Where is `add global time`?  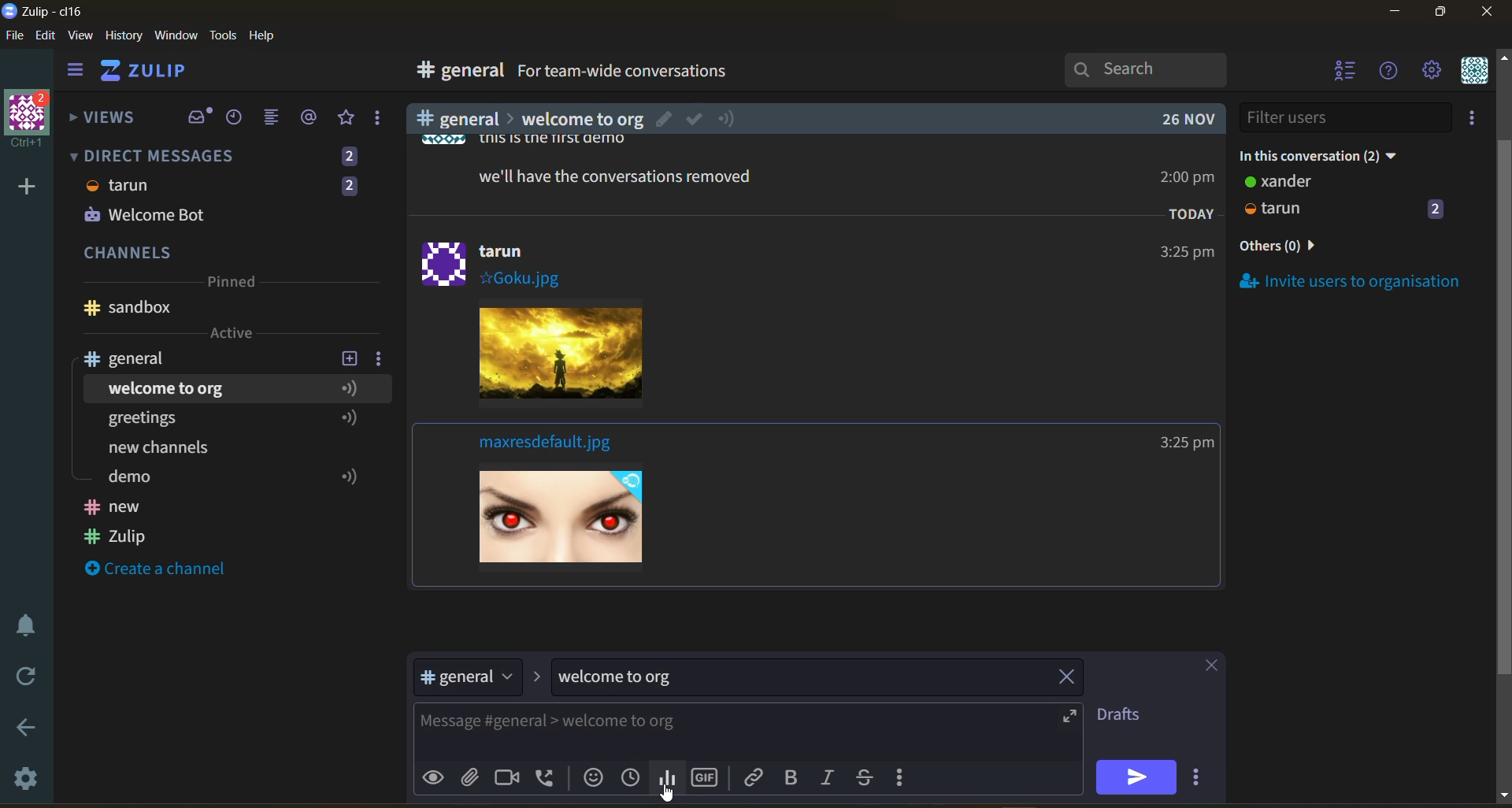 add global time is located at coordinates (634, 776).